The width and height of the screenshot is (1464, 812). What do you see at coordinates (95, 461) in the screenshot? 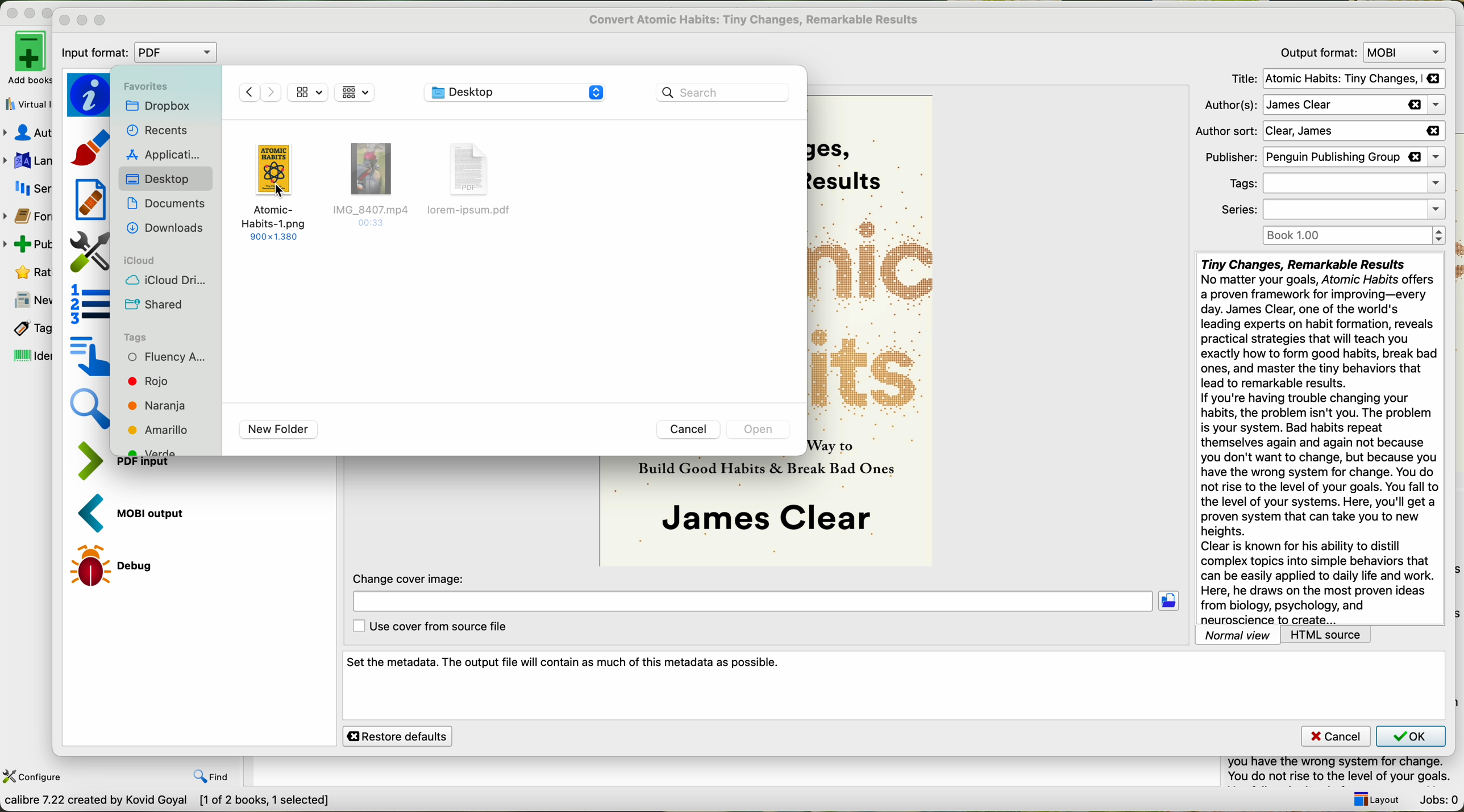
I see `PDF input` at bounding box center [95, 461].